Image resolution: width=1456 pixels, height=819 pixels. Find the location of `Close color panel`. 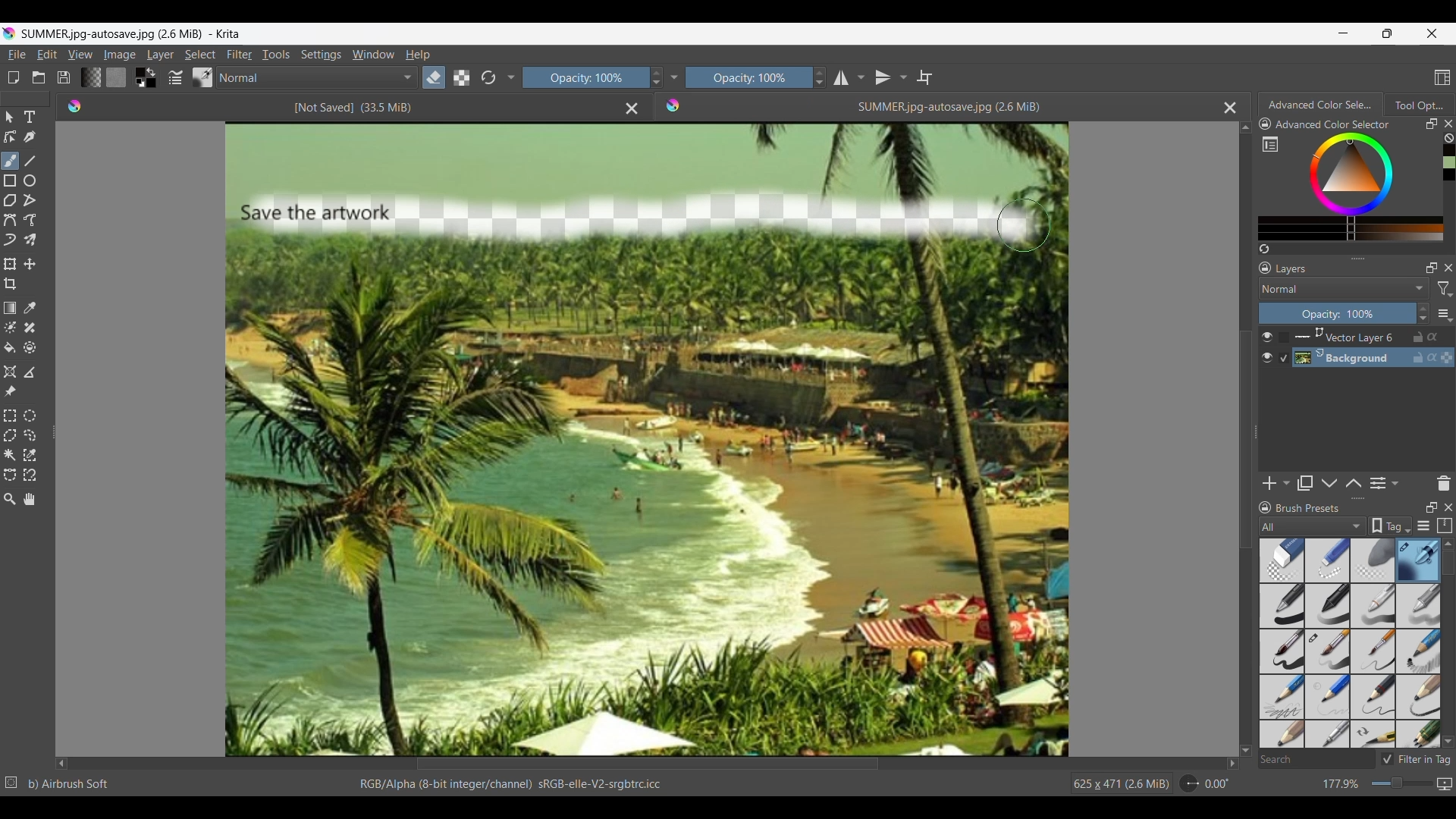

Close color panel is located at coordinates (1448, 124).